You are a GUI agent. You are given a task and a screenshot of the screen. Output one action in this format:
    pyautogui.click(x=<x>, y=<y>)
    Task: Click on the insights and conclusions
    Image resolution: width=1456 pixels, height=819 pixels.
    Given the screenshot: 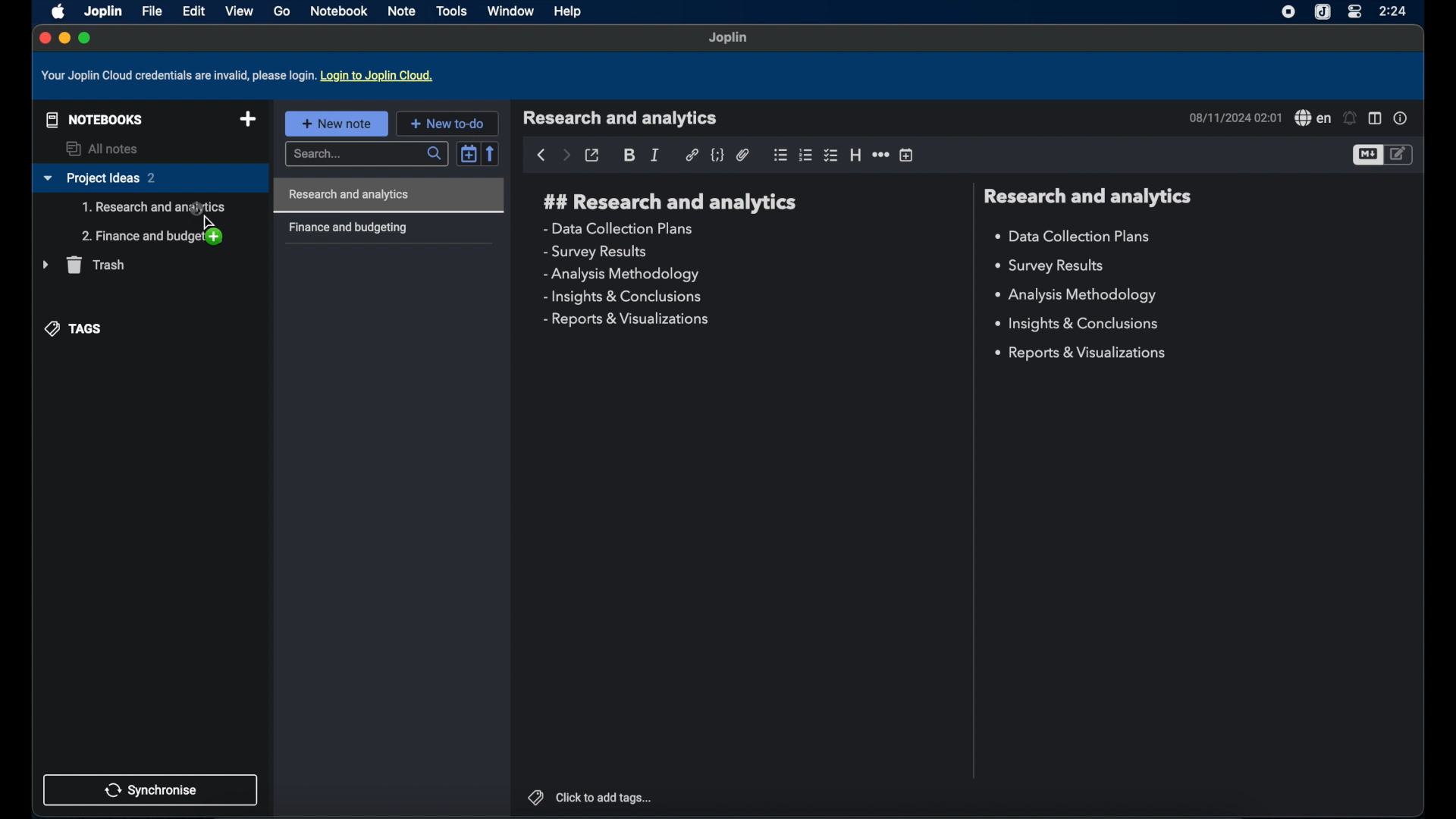 What is the action you would take?
    pyautogui.click(x=1079, y=325)
    